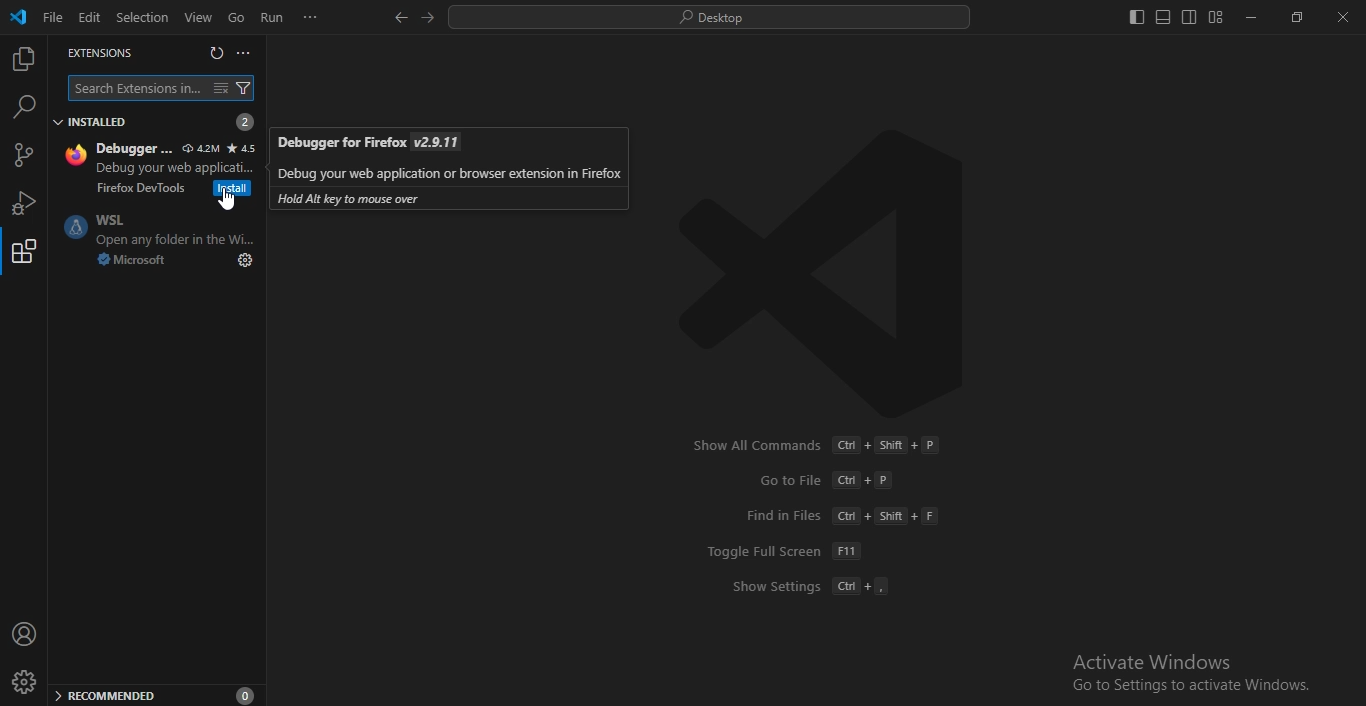 This screenshot has height=706, width=1366. I want to click on clear extensions search resullts, so click(224, 89).